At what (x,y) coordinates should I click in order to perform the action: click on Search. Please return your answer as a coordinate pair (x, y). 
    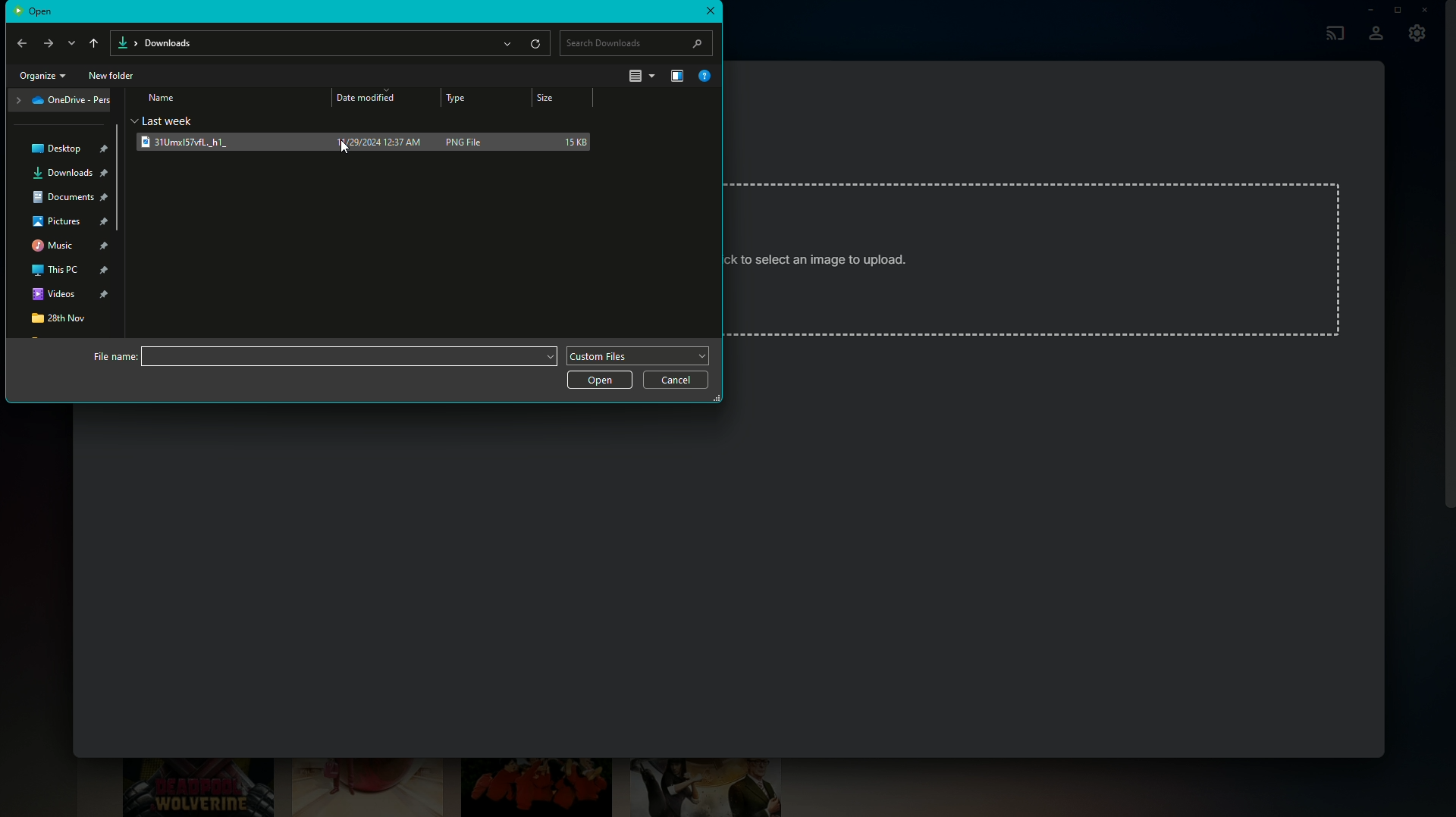
    Looking at the image, I should click on (638, 40).